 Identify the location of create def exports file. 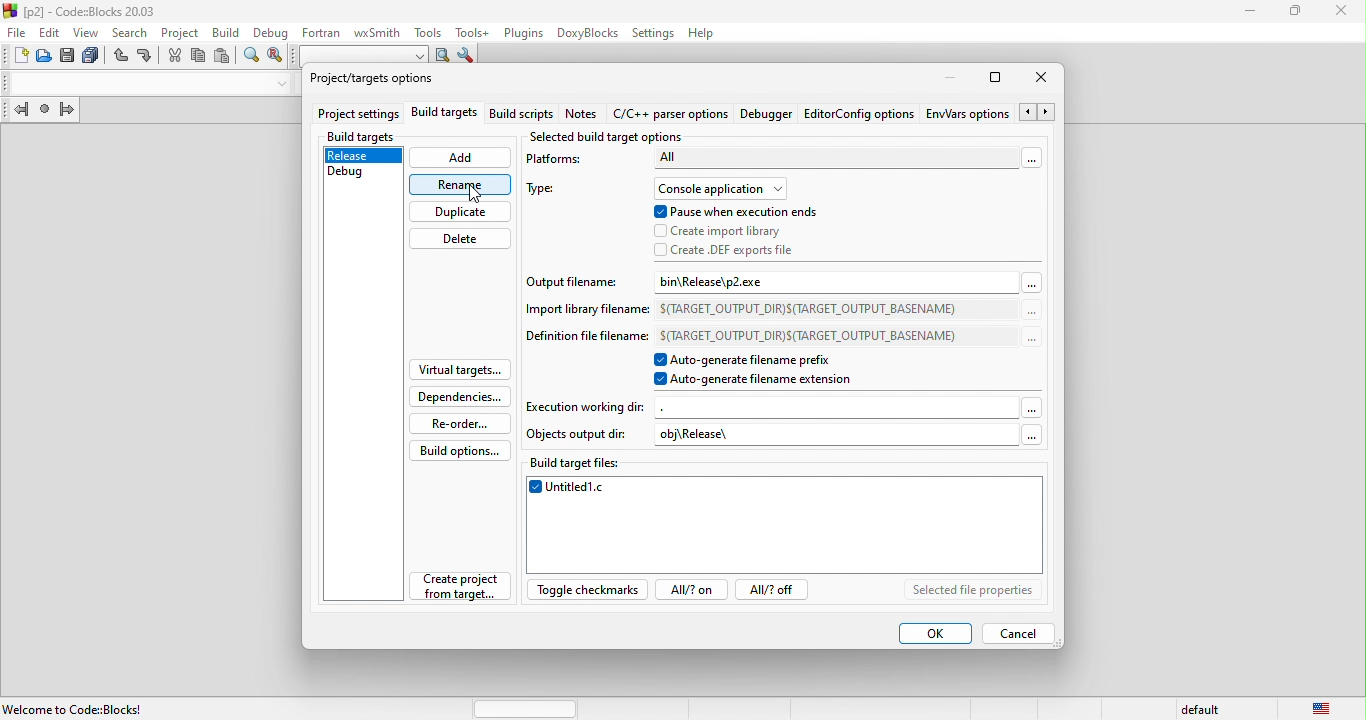
(742, 250).